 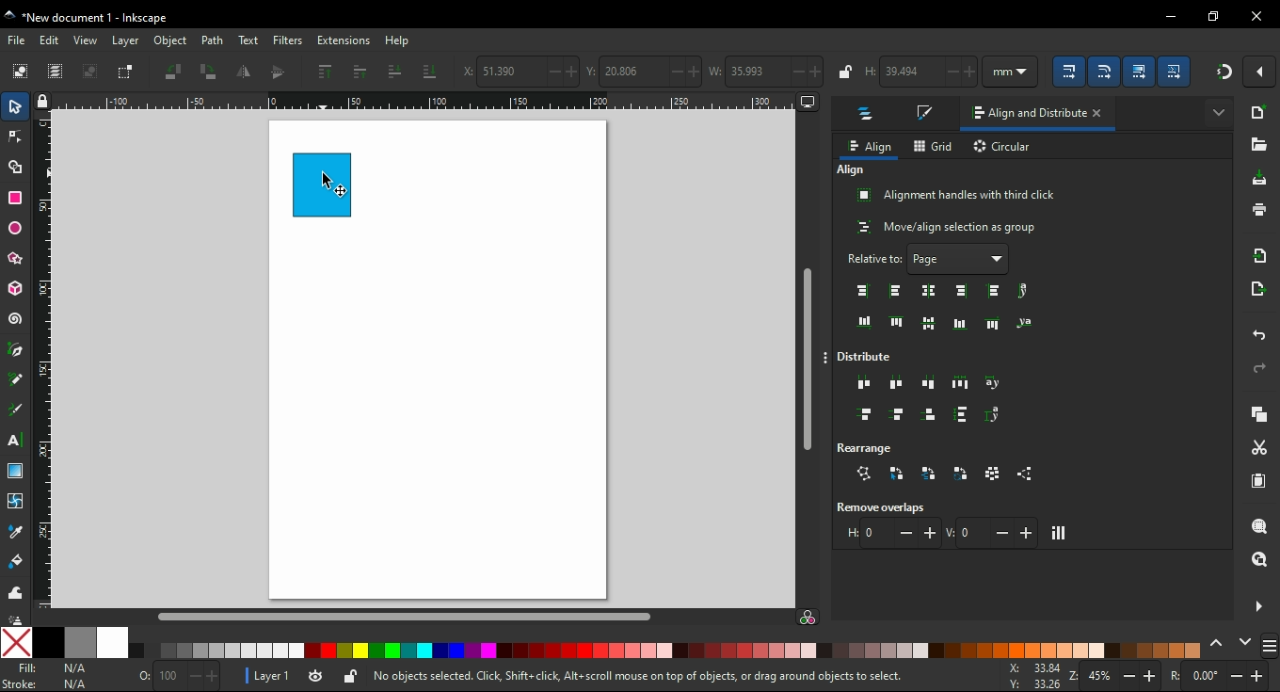 I want to click on path, so click(x=213, y=41).